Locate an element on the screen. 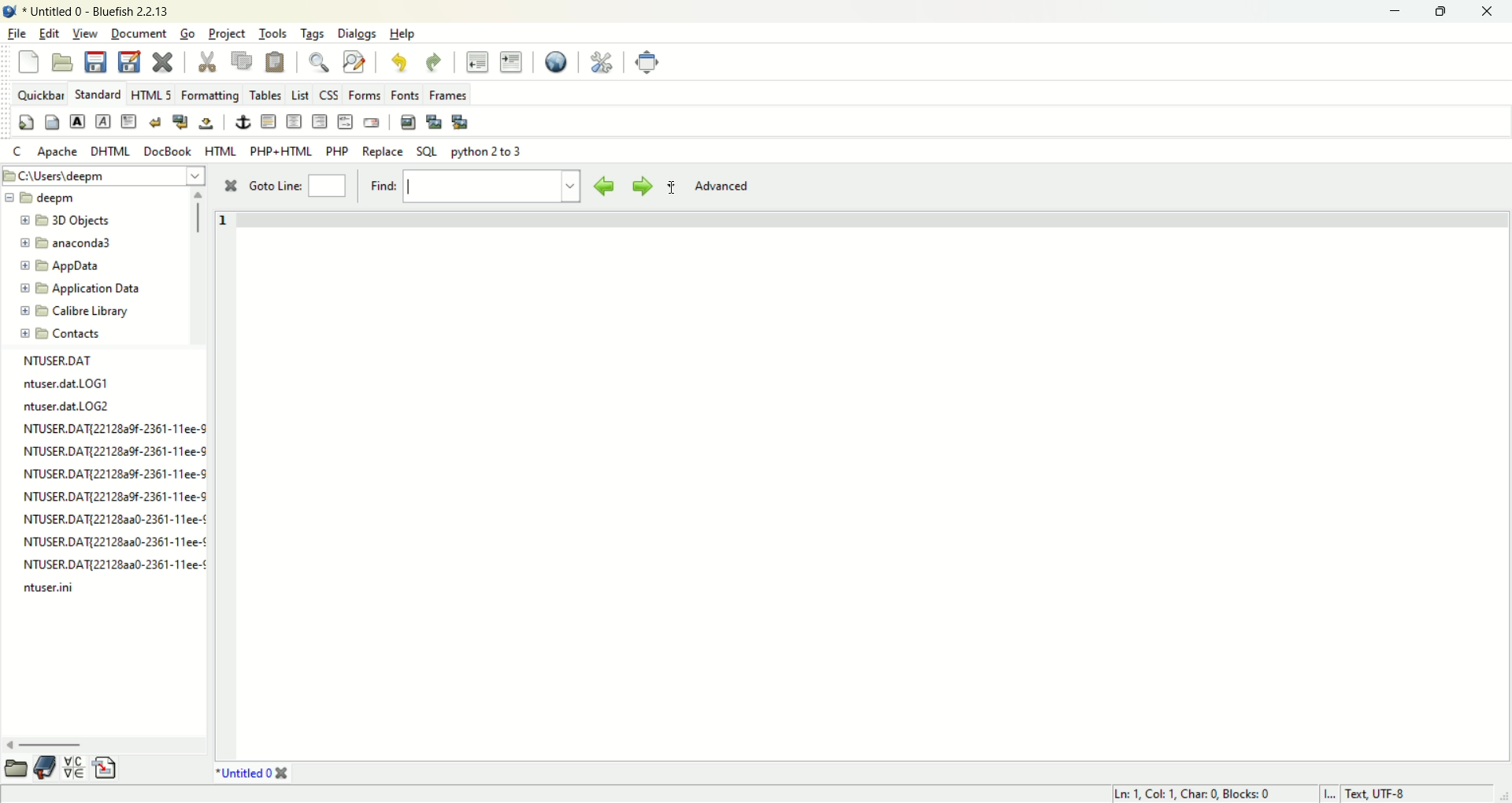 This screenshot has height=803, width=1512. NTUSER.DAT{2212829f-2361-11ee-9 is located at coordinates (113, 451).